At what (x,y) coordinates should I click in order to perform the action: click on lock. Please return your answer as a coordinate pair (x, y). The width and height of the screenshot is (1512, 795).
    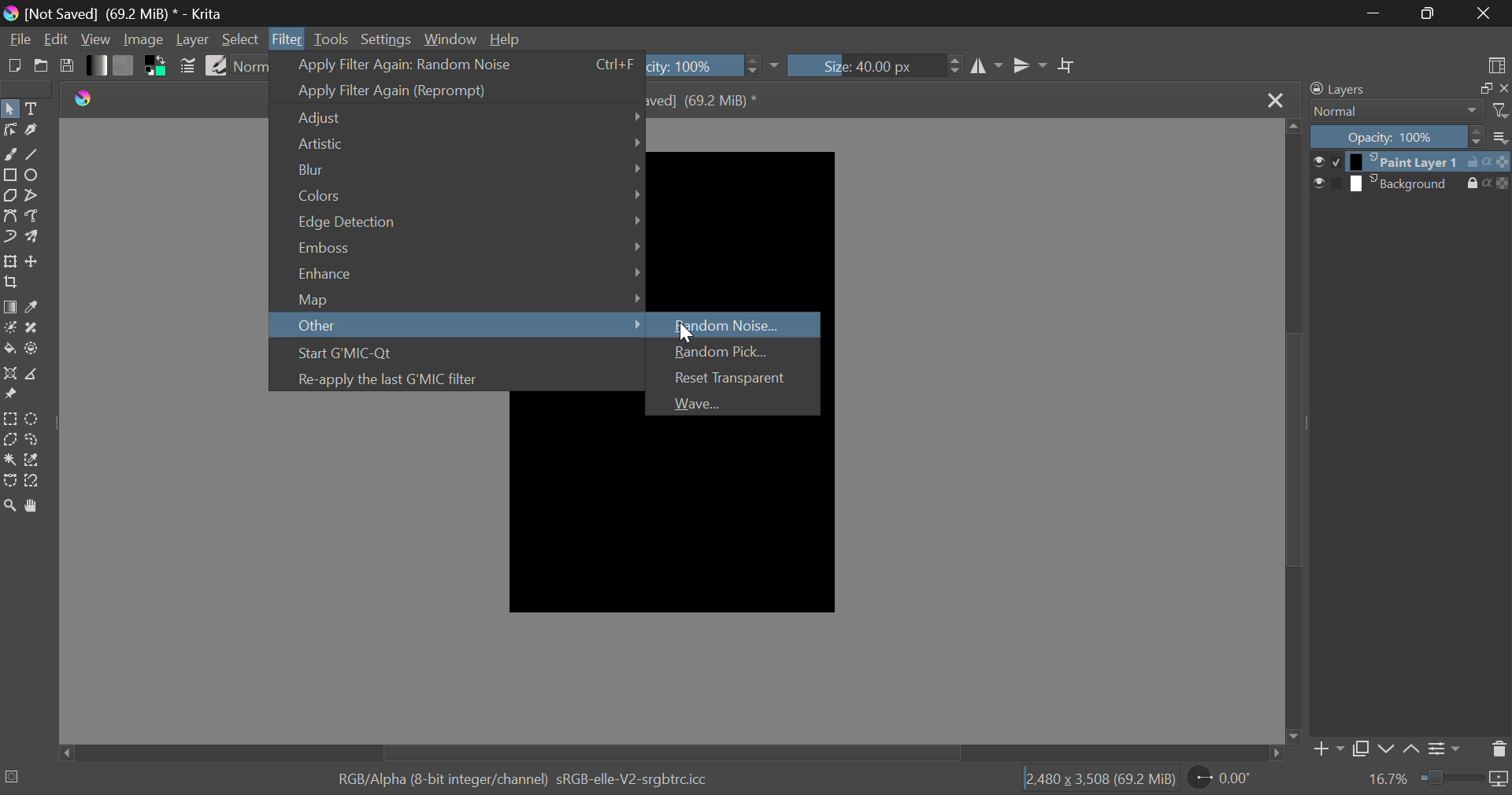
    Looking at the image, I should click on (1469, 161).